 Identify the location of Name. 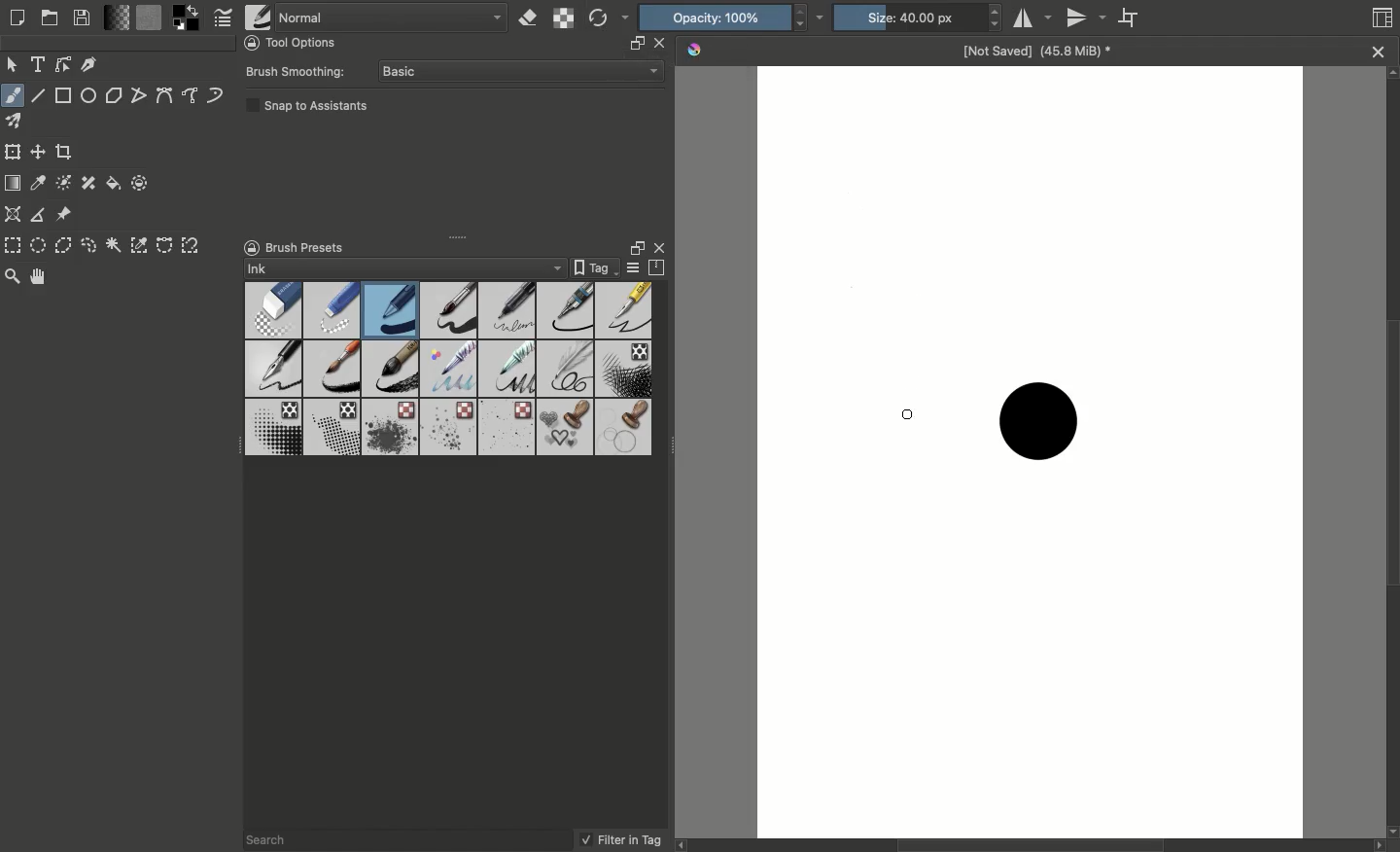
(1038, 54).